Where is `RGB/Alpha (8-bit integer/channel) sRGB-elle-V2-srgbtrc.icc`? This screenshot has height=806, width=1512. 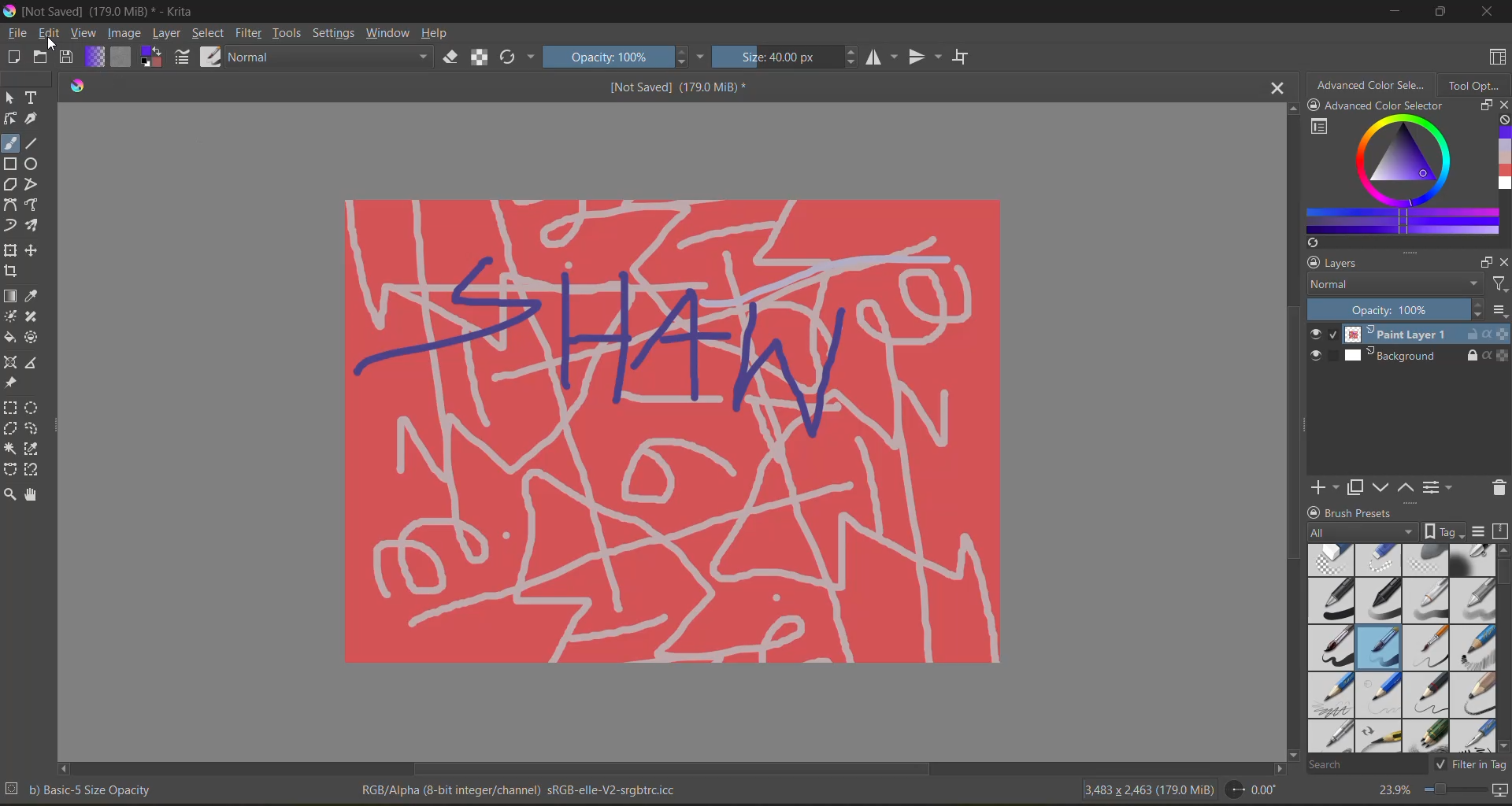
RGB/Alpha (8-bit integer/channel) sRGB-elle-V2-srgbtrc.icc is located at coordinates (520, 791).